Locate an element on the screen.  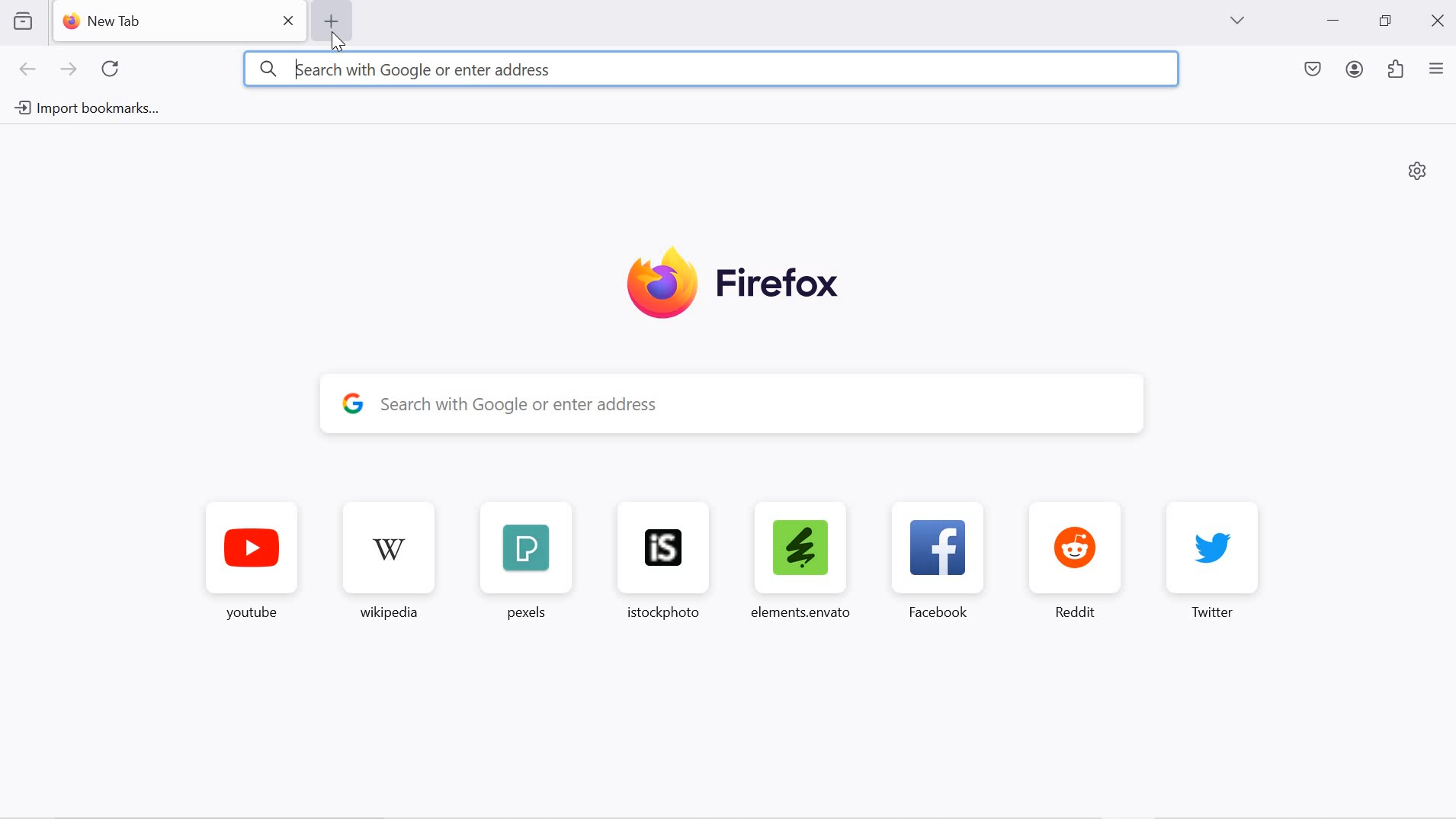
y Search with Google or enter address is located at coordinates (746, 403).